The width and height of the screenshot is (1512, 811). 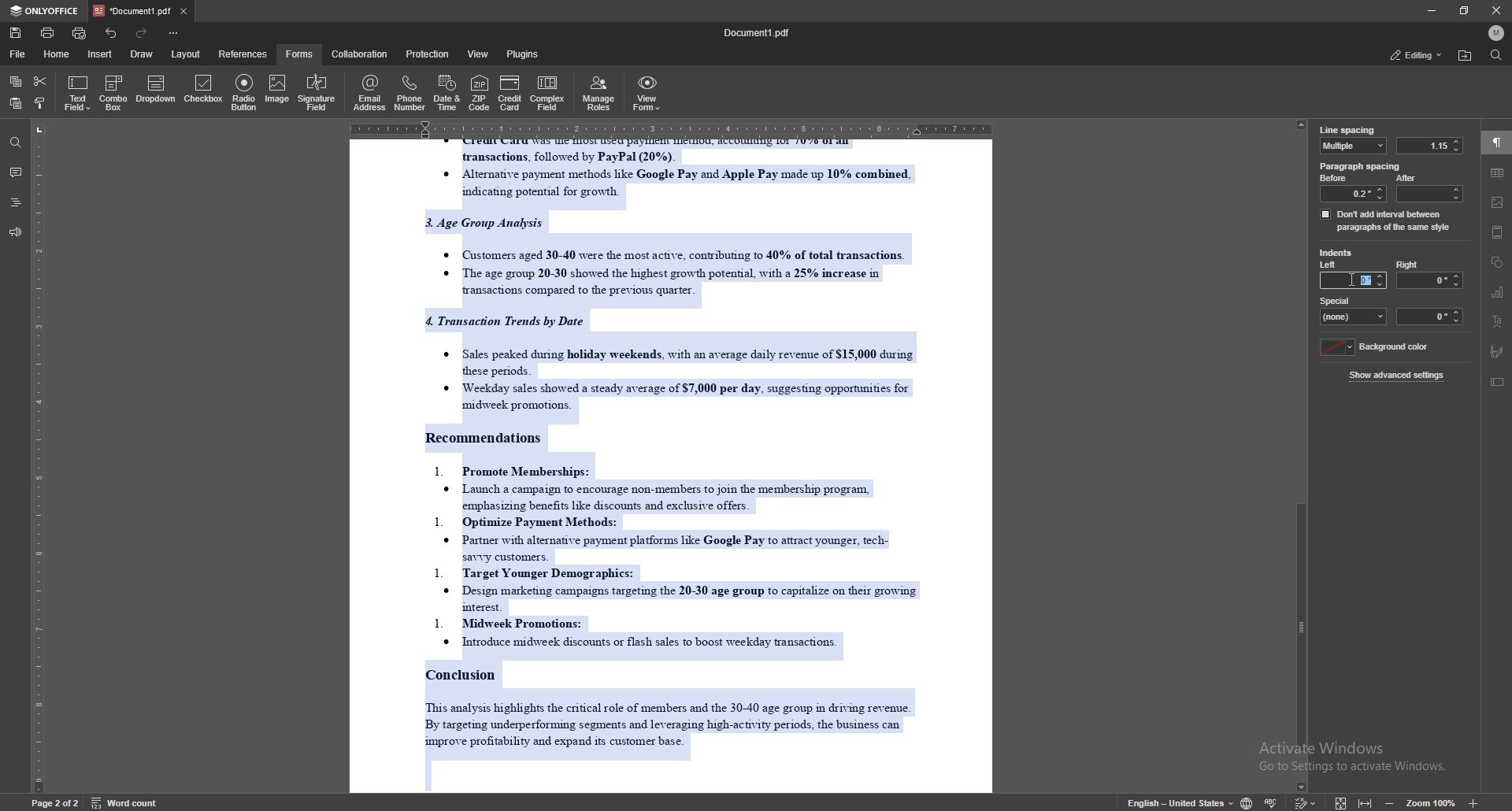 What do you see at coordinates (1496, 32) in the screenshot?
I see `profile` at bounding box center [1496, 32].